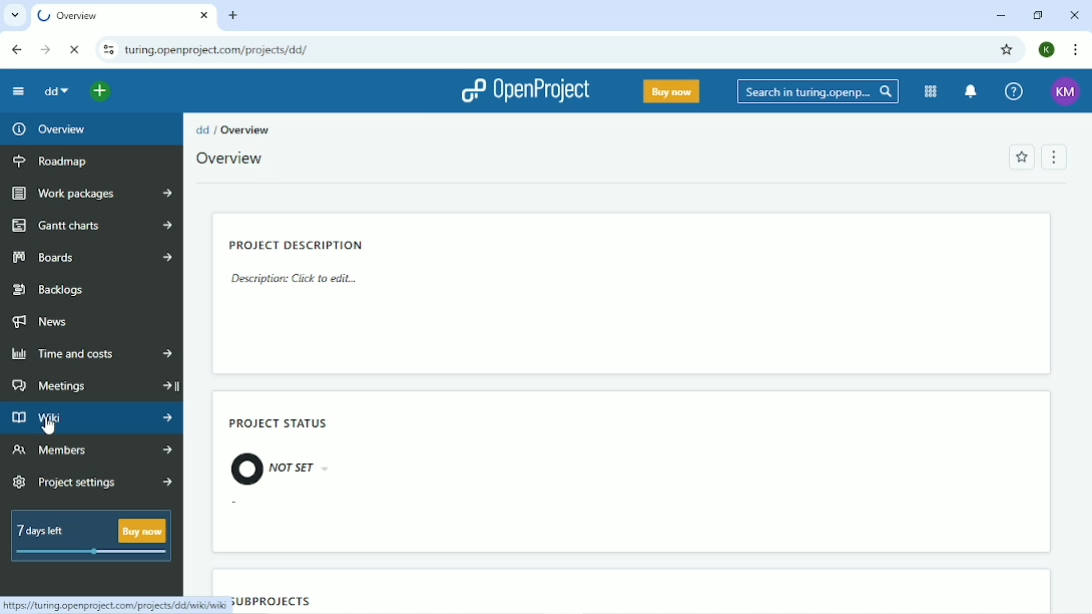  Describe the element at coordinates (48, 425) in the screenshot. I see `CURSOR` at that location.